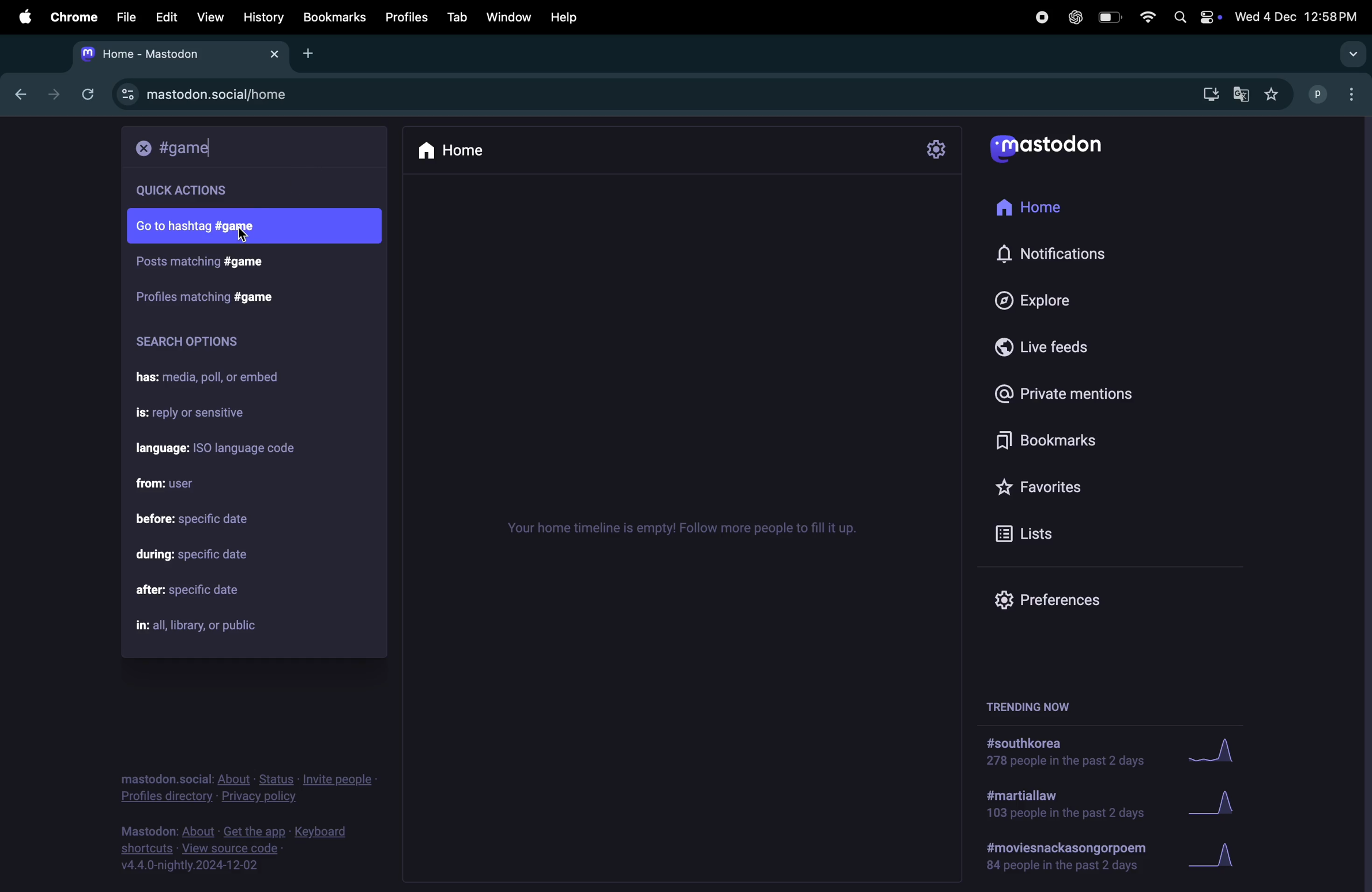 Image resolution: width=1372 pixels, height=892 pixels. Describe the element at coordinates (1068, 860) in the screenshot. I see `trending now` at that location.